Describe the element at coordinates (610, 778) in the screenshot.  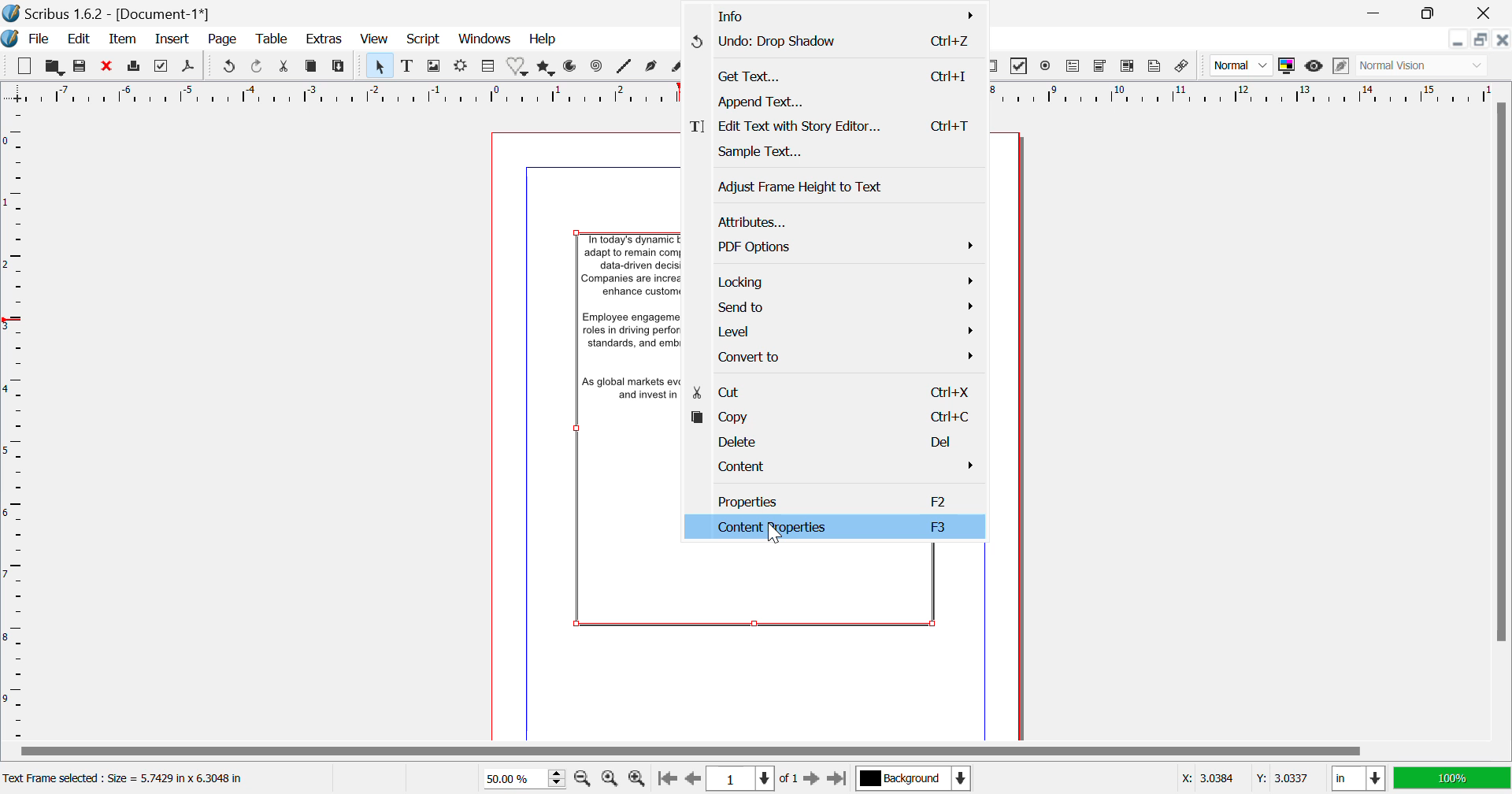
I see `Zoom to 100%` at that location.